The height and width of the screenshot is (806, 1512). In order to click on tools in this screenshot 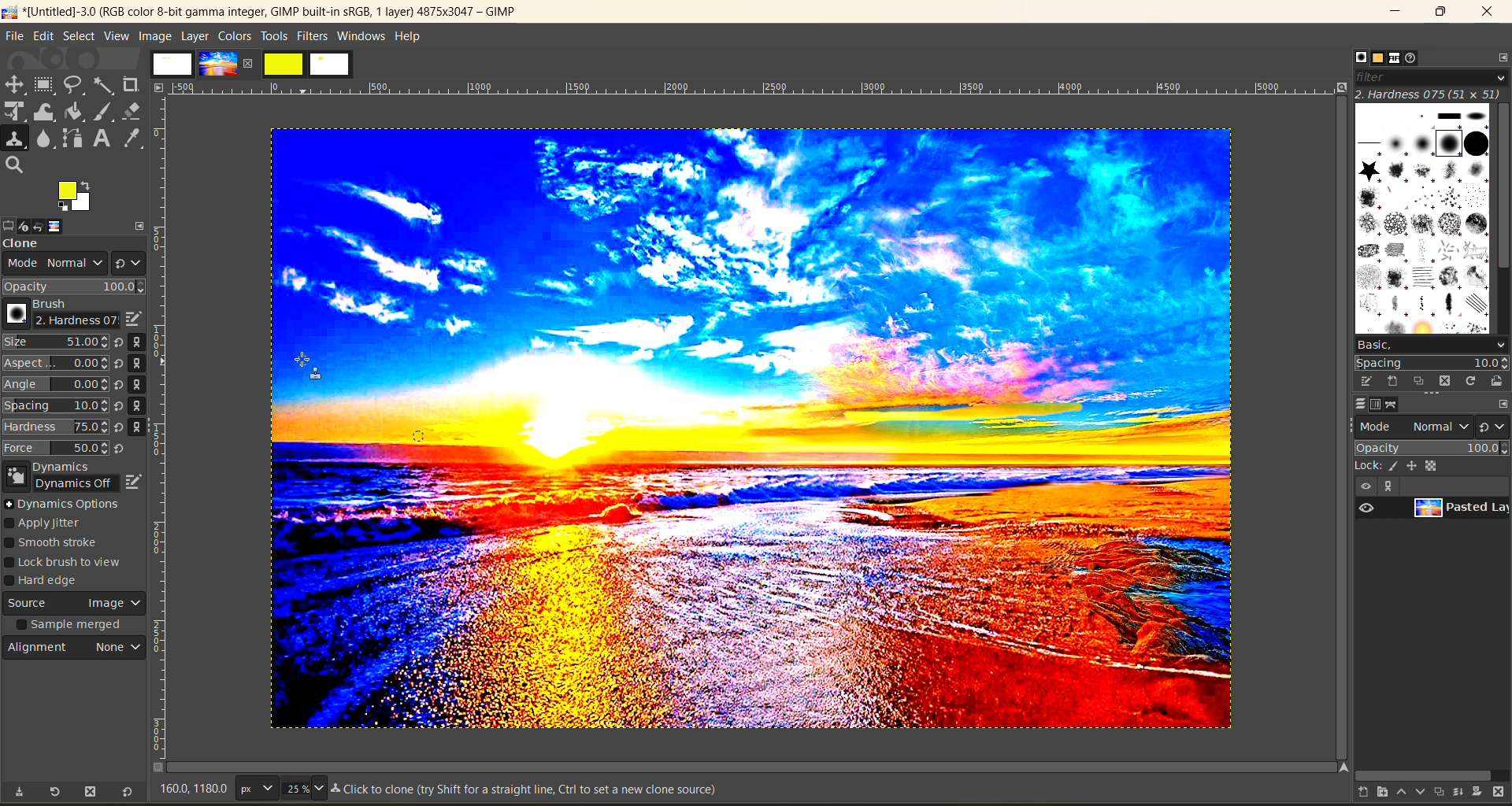, I will do `click(274, 36)`.